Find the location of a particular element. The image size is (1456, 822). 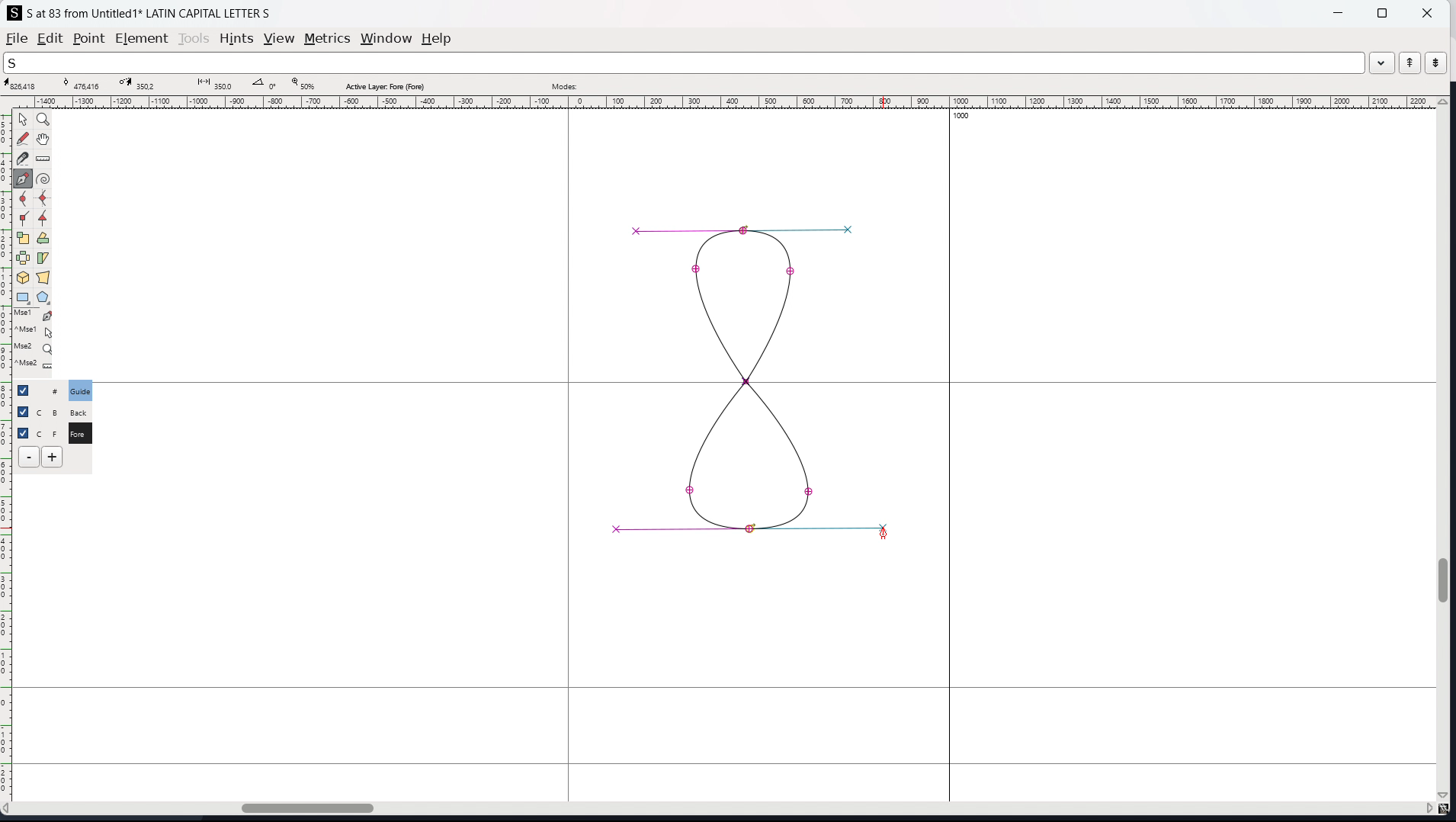

S at 83 from Untitled 1 LATIN CAPITAL LETTER S is located at coordinates (149, 12).